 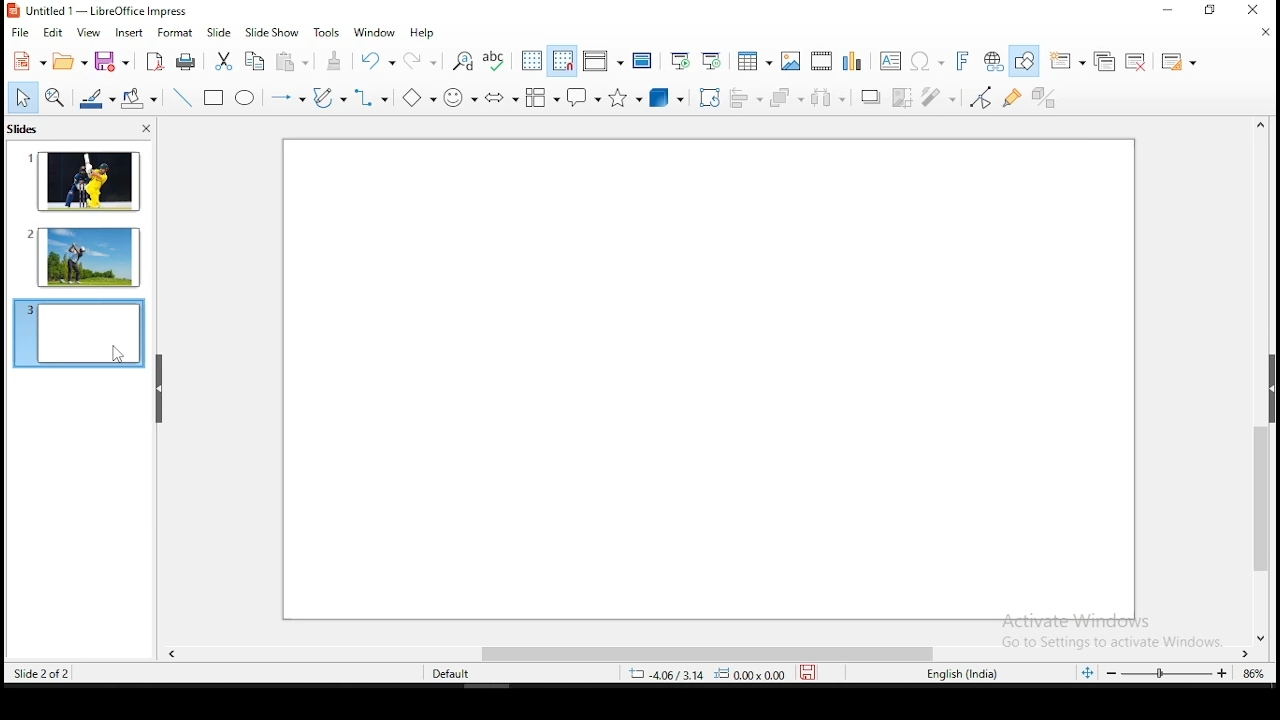 I want to click on connectors, so click(x=370, y=99).